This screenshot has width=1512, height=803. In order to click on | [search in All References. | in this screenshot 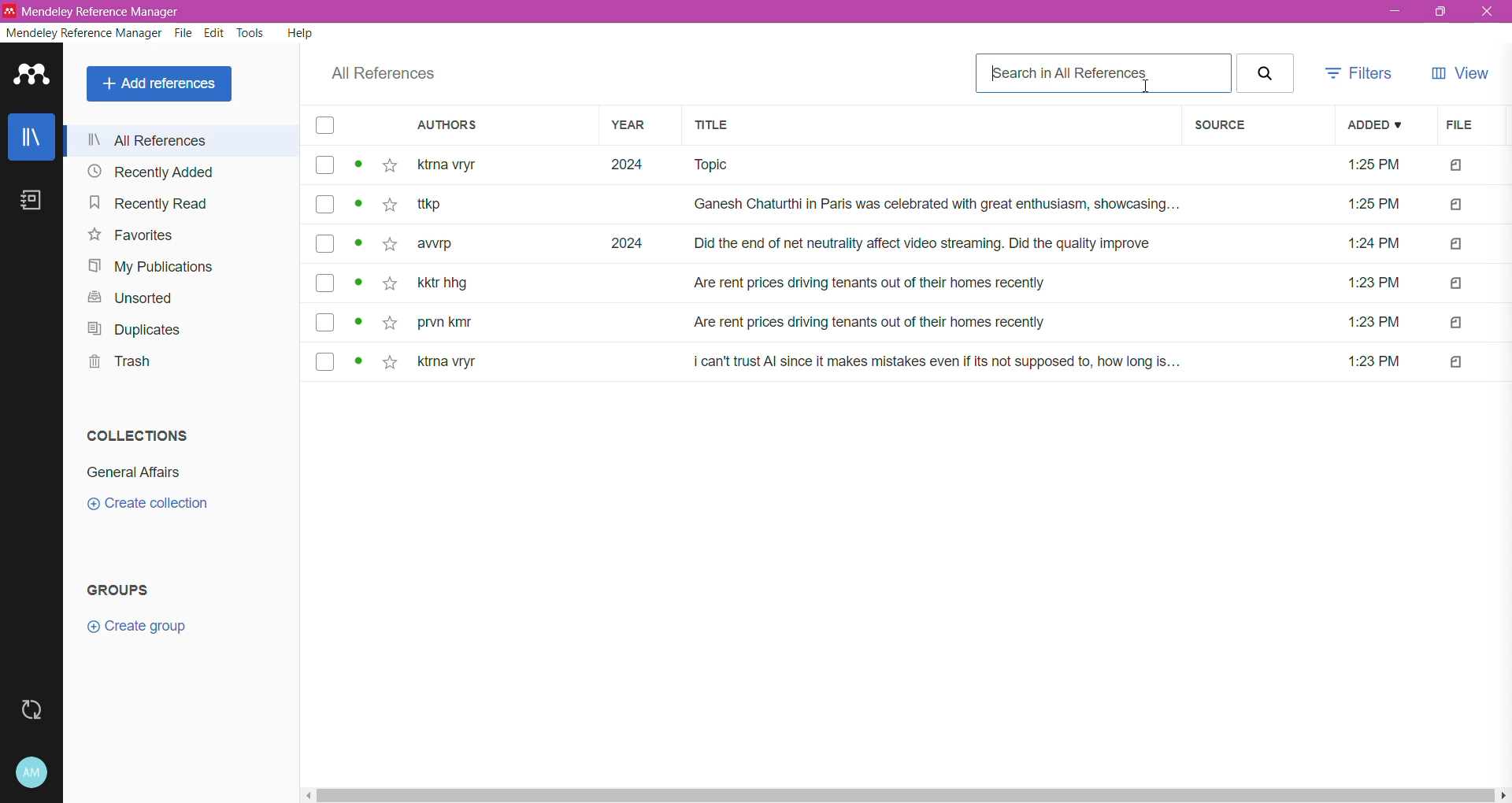, I will do `click(1102, 72)`.